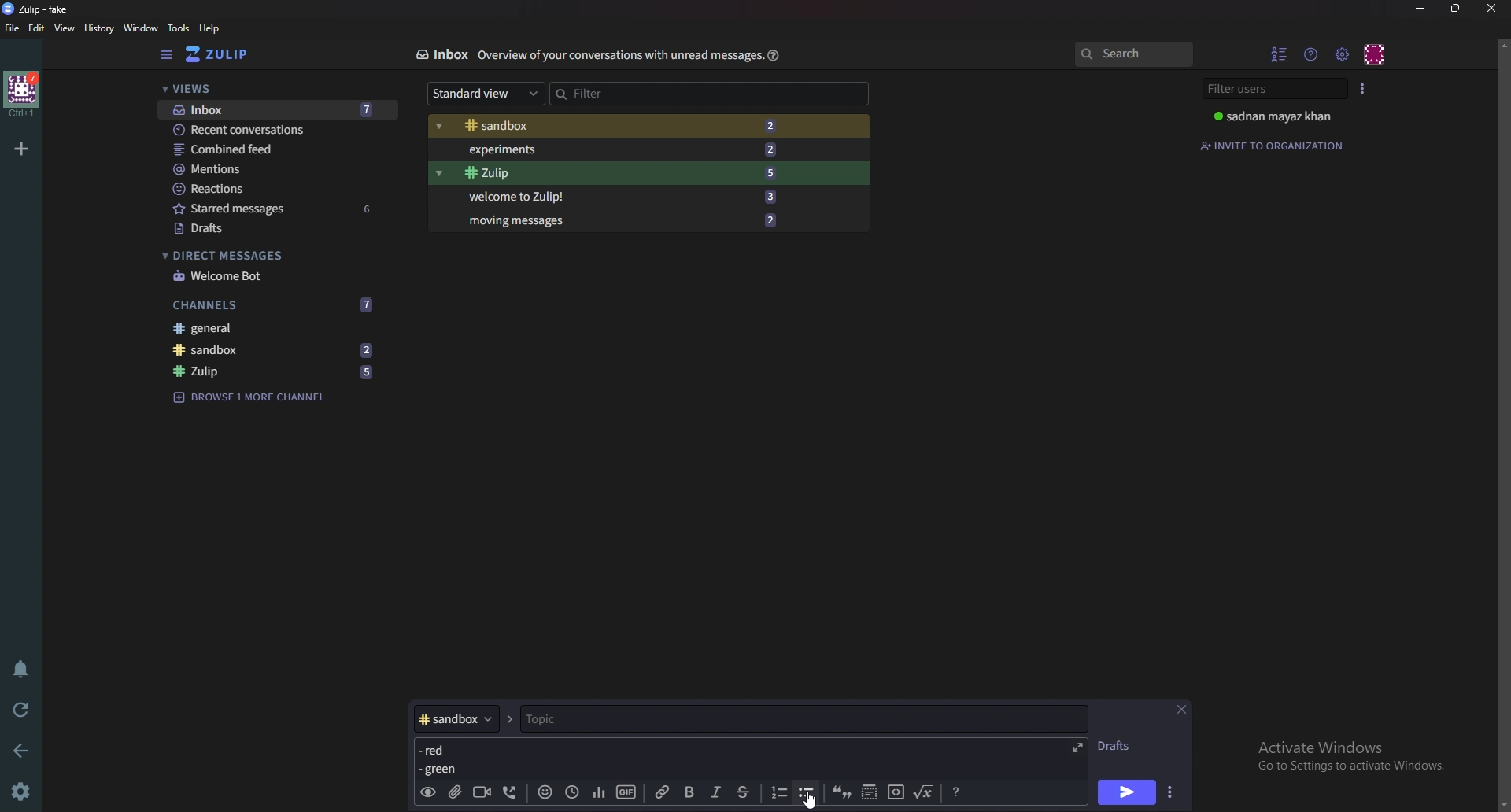 The height and width of the screenshot is (812, 1511). Describe the element at coordinates (278, 208) in the screenshot. I see `Starred messages` at that location.